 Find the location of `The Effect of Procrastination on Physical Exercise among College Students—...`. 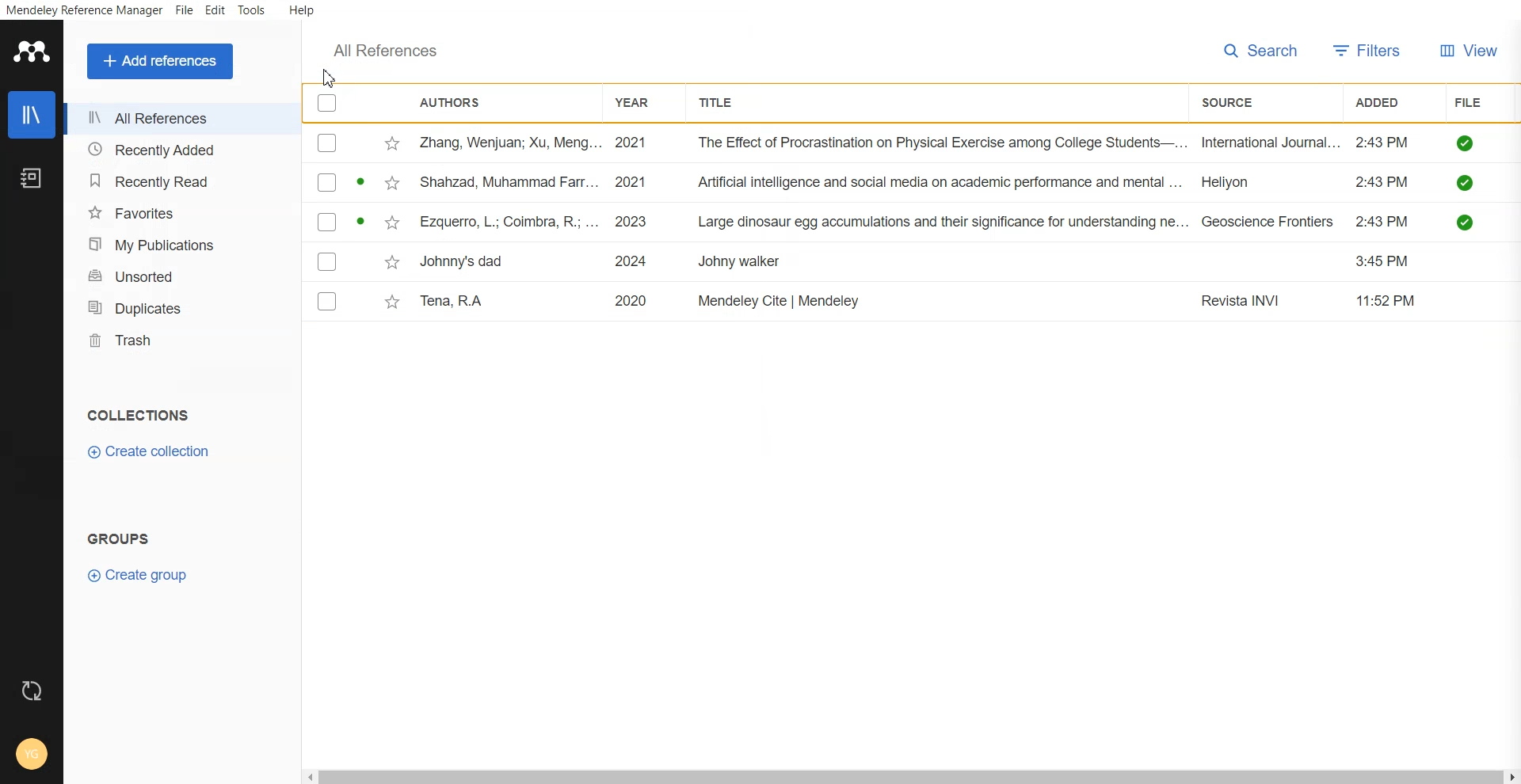

The Effect of Procrastination on Physical Exercise among College Students—... is located at coordinates (943, 143).